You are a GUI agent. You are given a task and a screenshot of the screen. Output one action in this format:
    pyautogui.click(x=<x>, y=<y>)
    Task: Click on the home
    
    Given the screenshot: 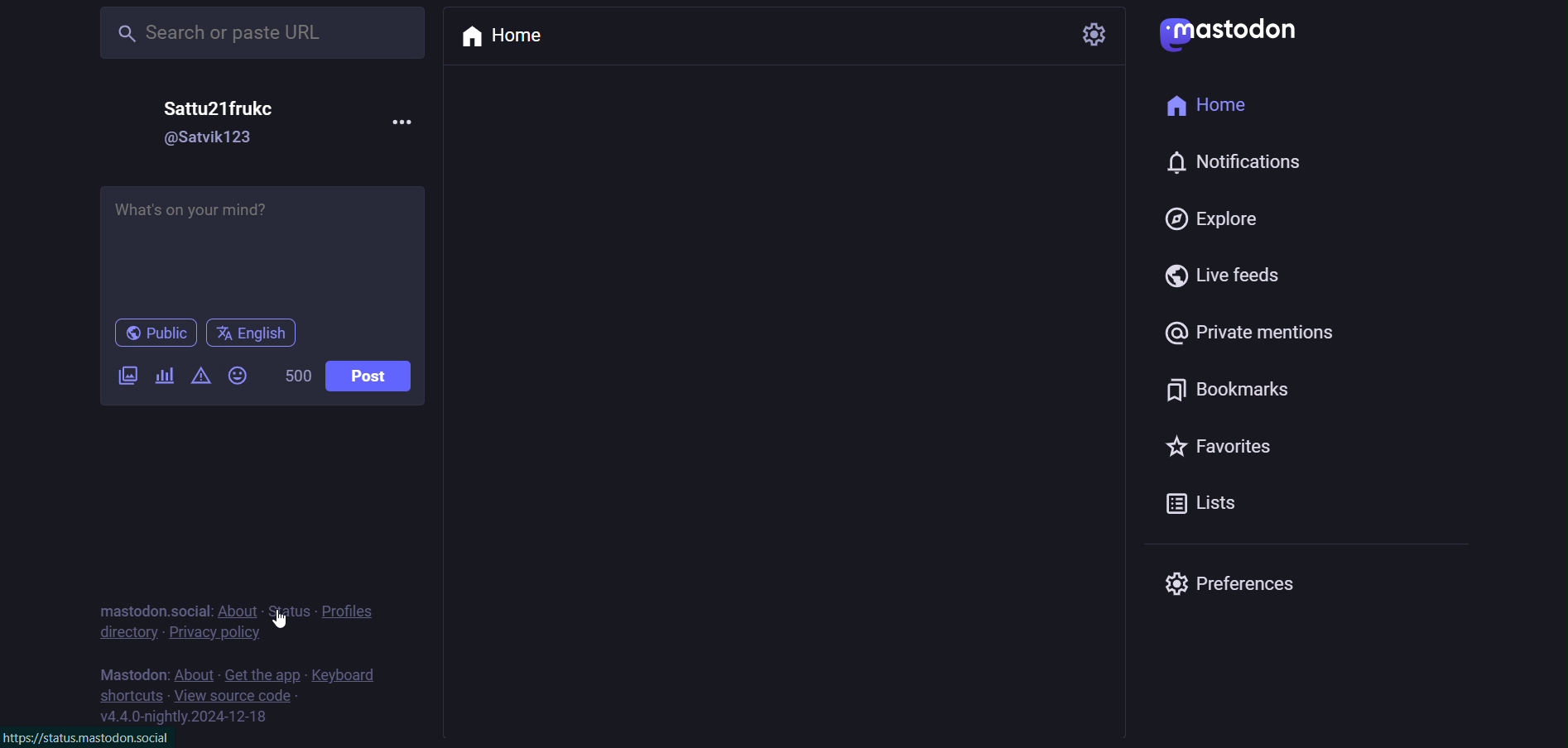 What is the action you would take?
    pyautogui.click(x=1211, y=105)
    